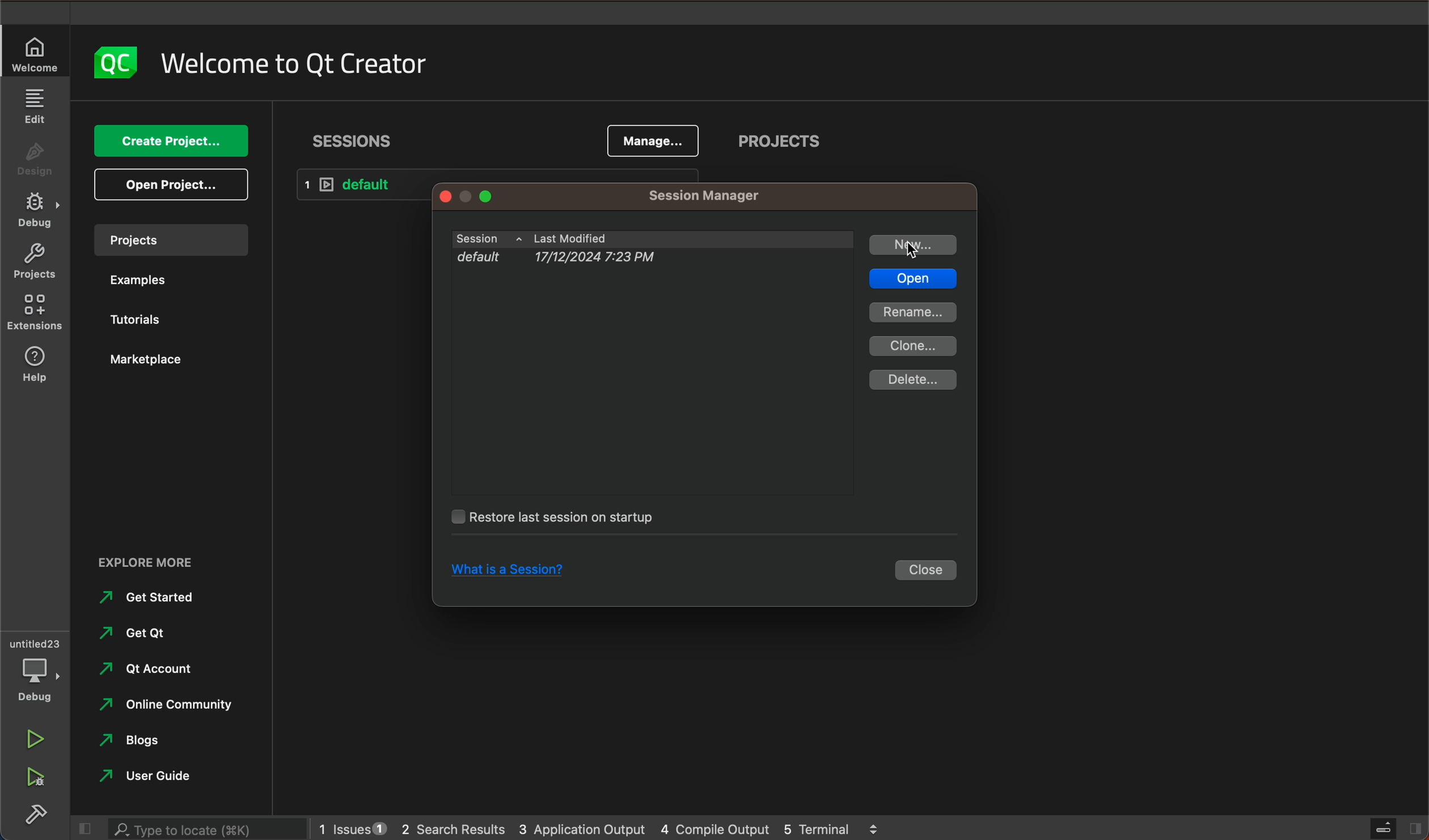 This screenshot has height=840, width=1429. What do you see at coordinates (583, 826) in the screenshot?
I see `application output` at bounding box center [583, 826].